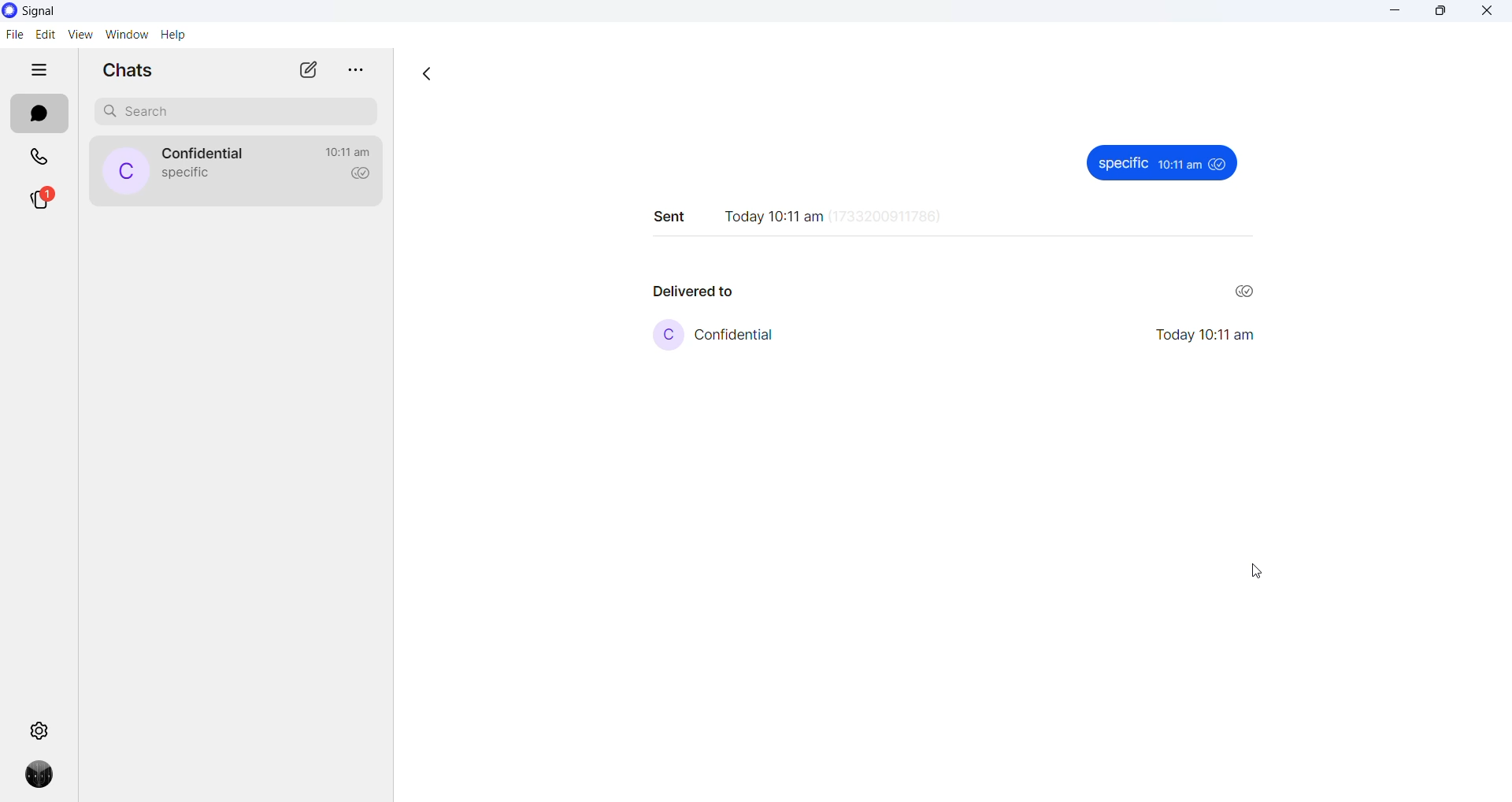  Describe the element at coordinates (42, 774) in the screenshot. I see `profile` at that location.